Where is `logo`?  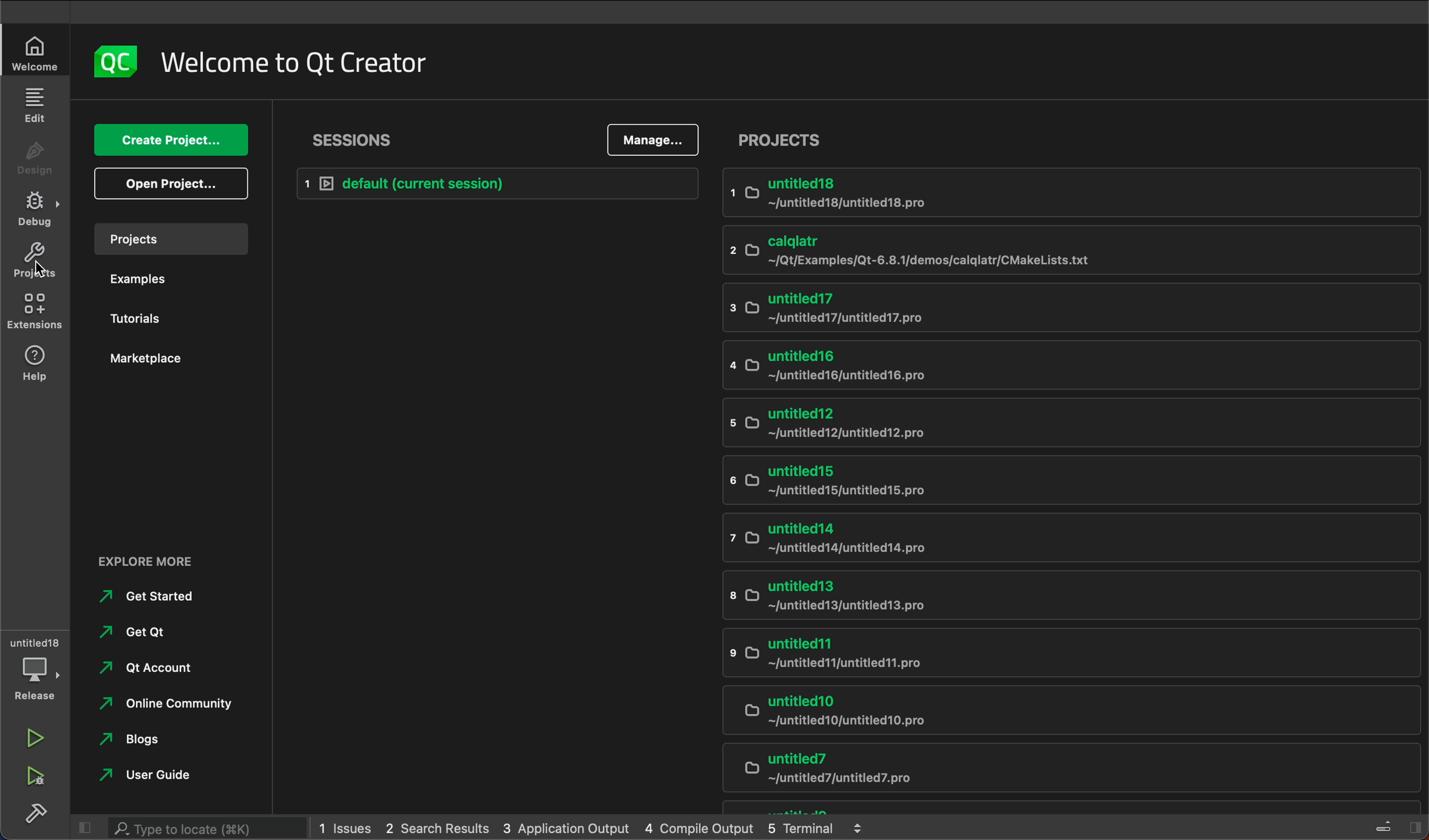
logo is located at coordinates (112, 63).